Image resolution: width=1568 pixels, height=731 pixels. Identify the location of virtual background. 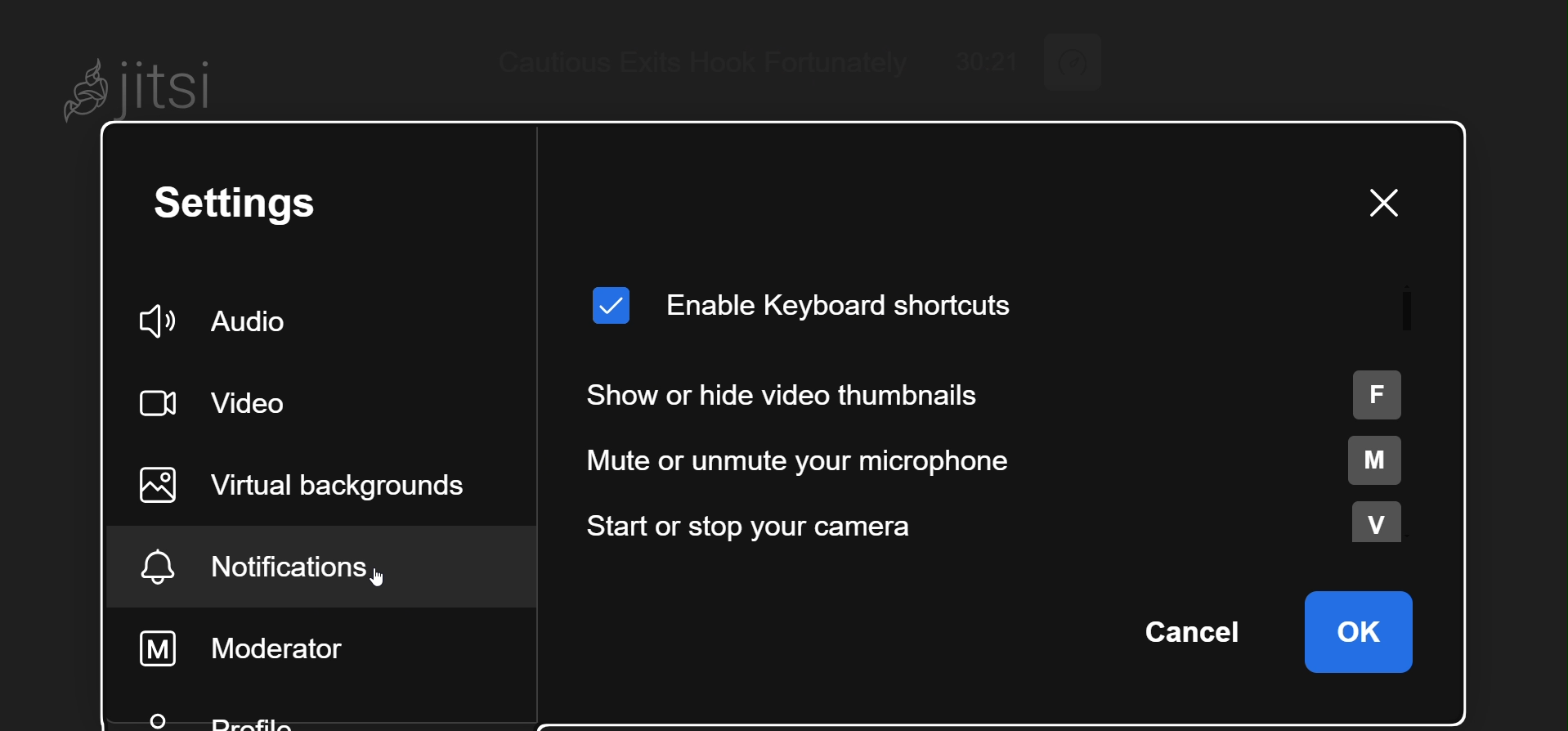
(322, 483).